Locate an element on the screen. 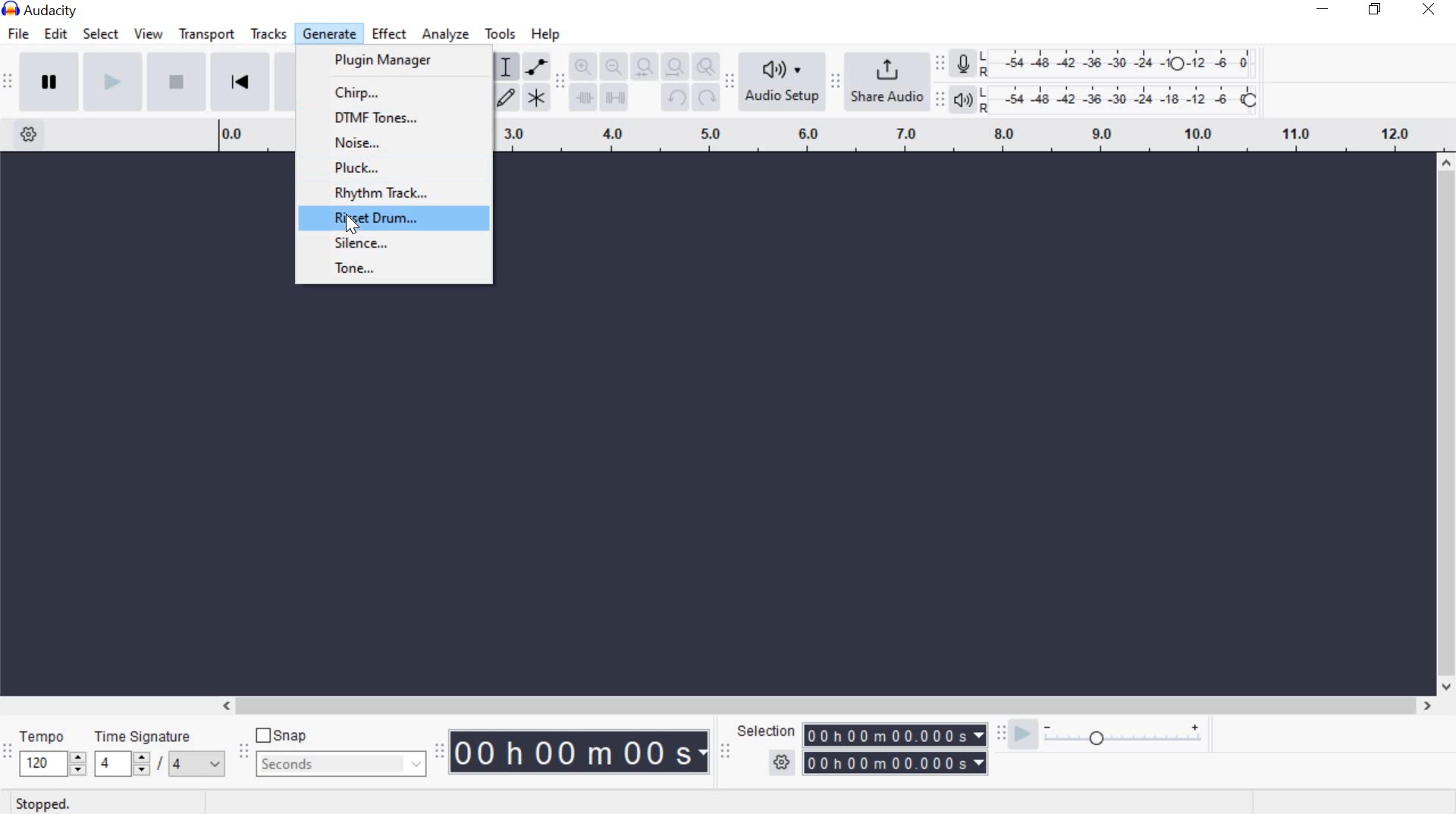 This screenshot has height=814, width=1456. generate is located at coordinates (328, 33).